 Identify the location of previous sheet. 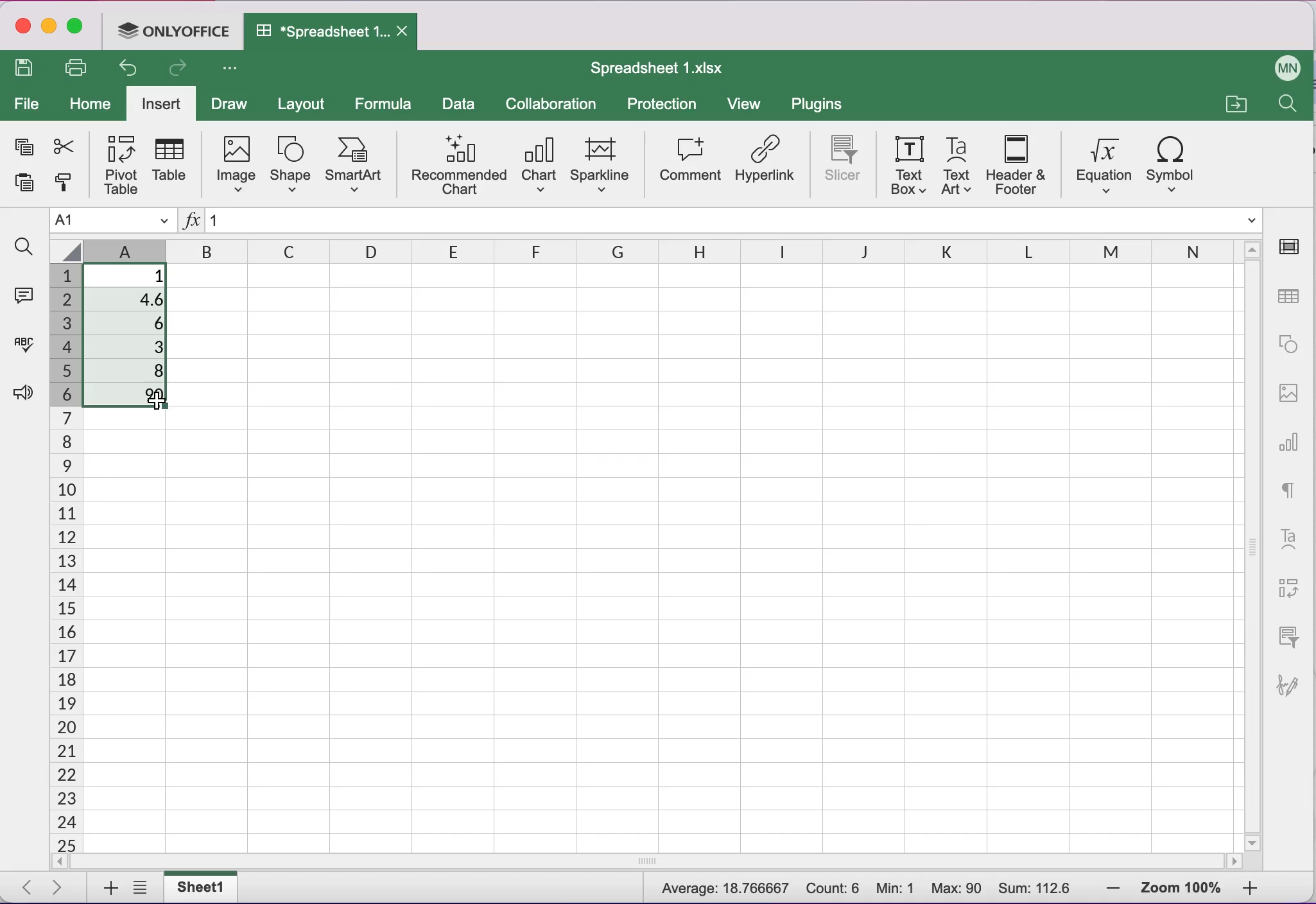
(30, 889).